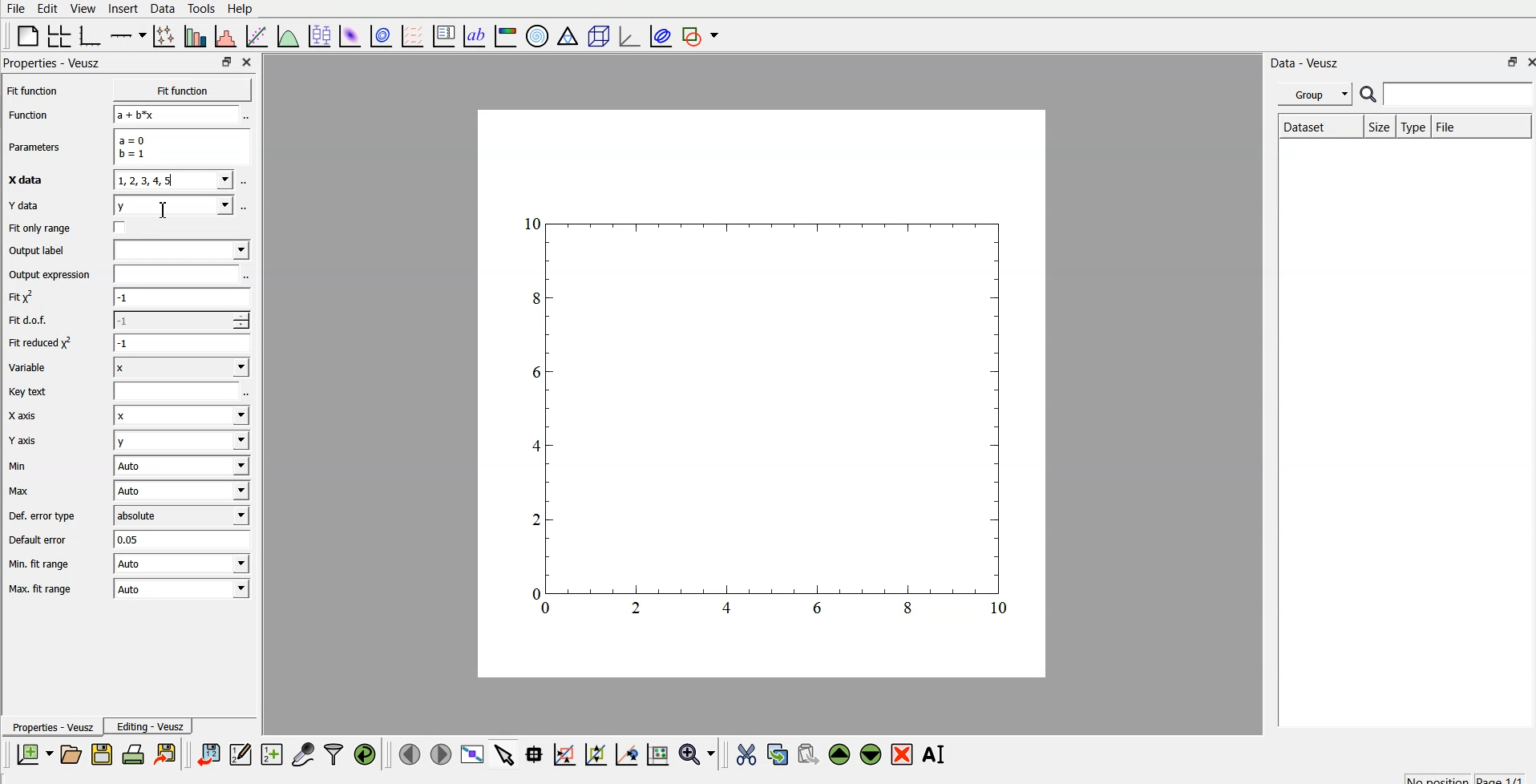 Image resolution: width=1536 pixels, height=784 pixels. I want to click on Def. error type, so click(38, 516).